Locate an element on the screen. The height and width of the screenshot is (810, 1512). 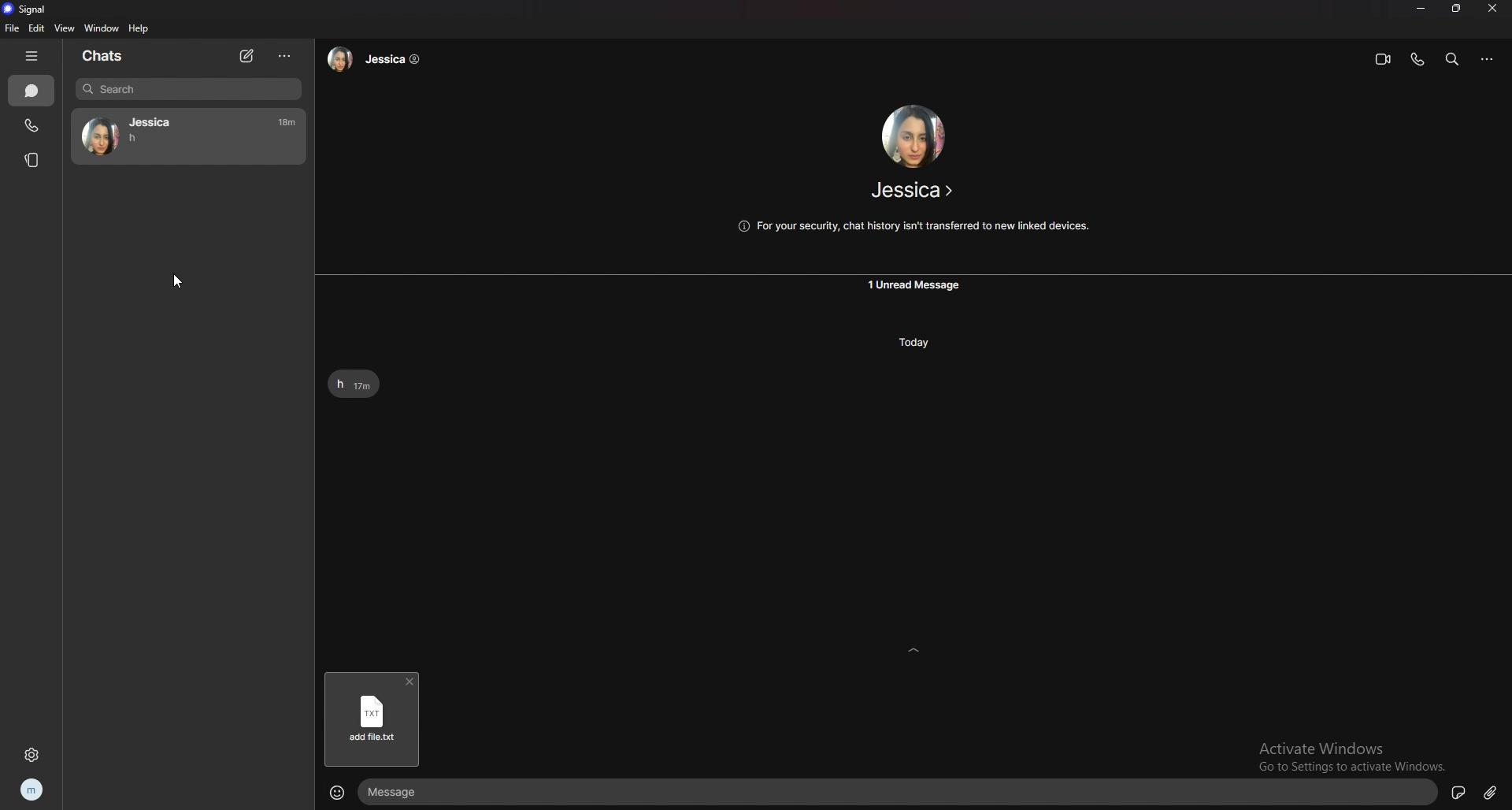
avatar is located at coordinates (912, 137).